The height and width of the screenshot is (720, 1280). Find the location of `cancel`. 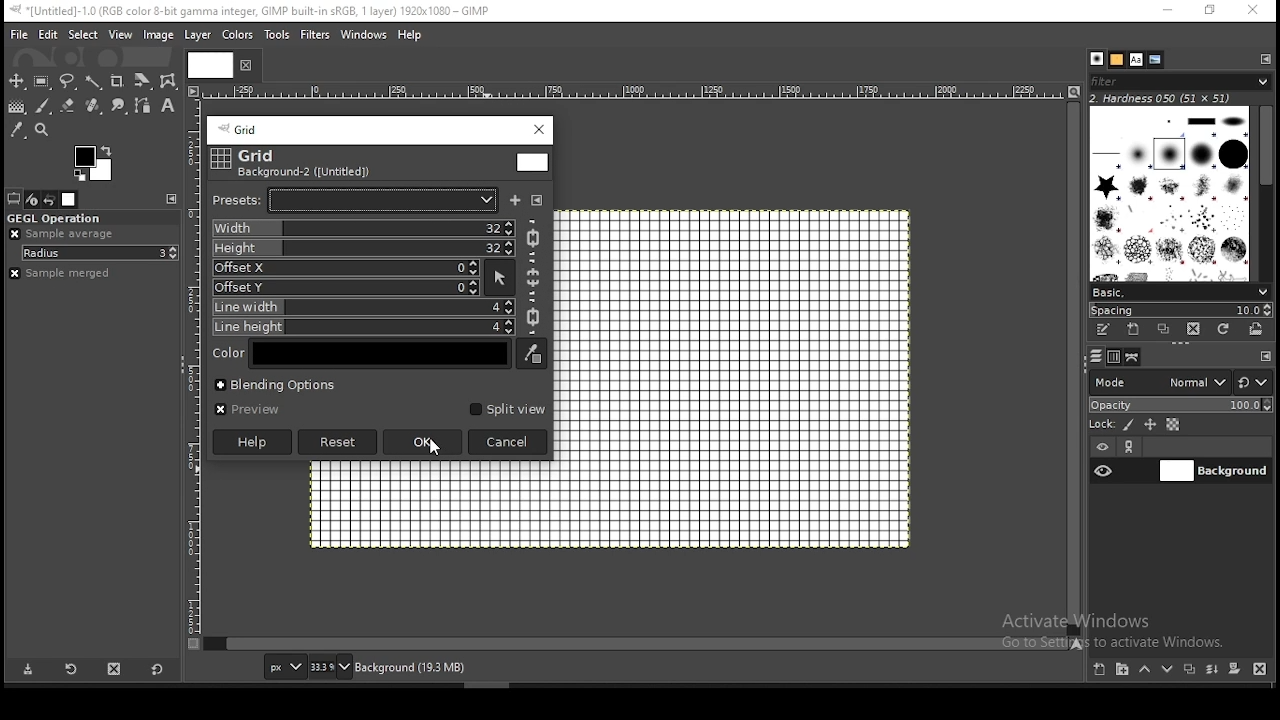

cancel is located at coordinates (508, 442).